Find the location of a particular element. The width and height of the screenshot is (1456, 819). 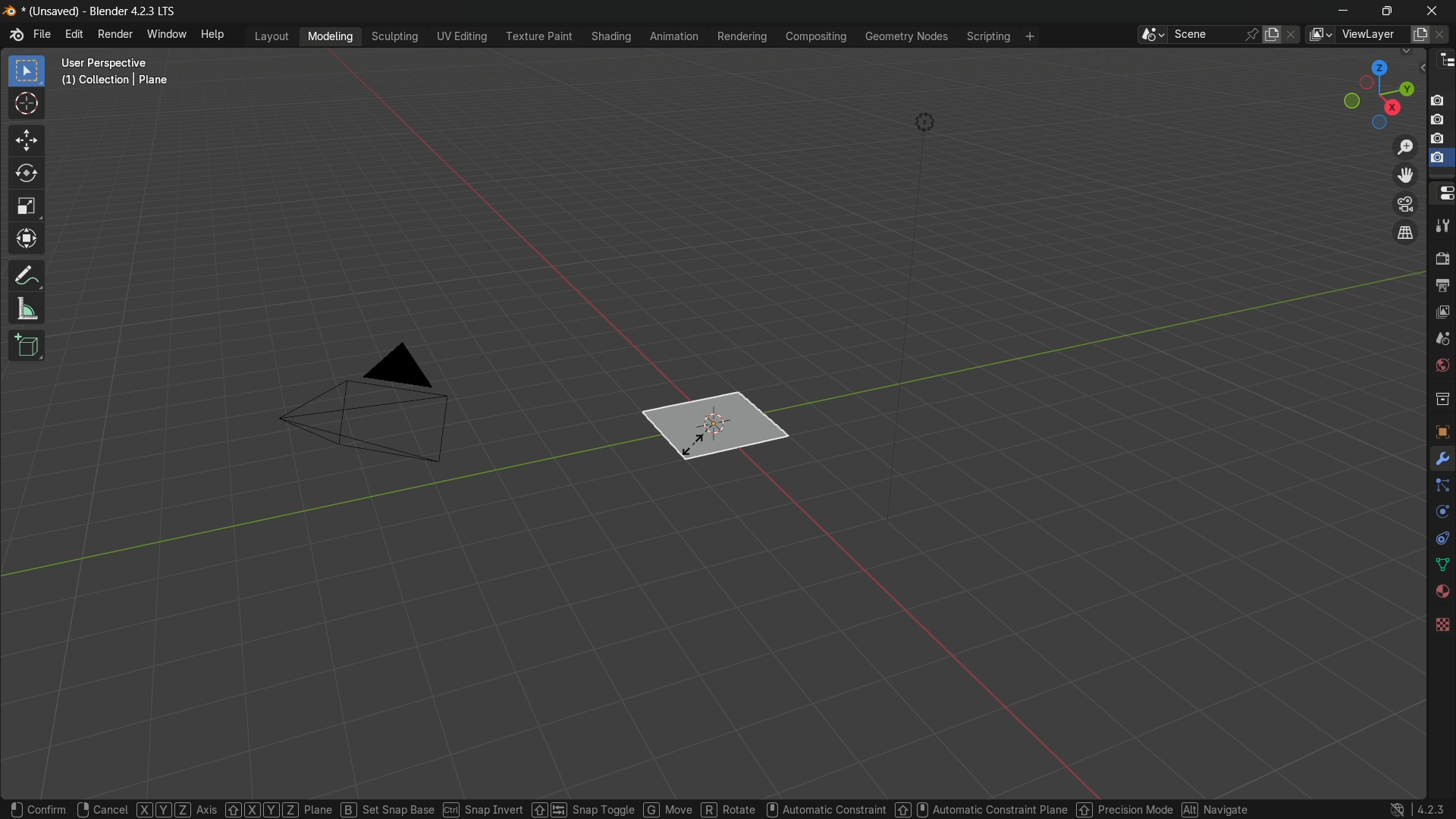

cursor is located at coordinates (27, 105).